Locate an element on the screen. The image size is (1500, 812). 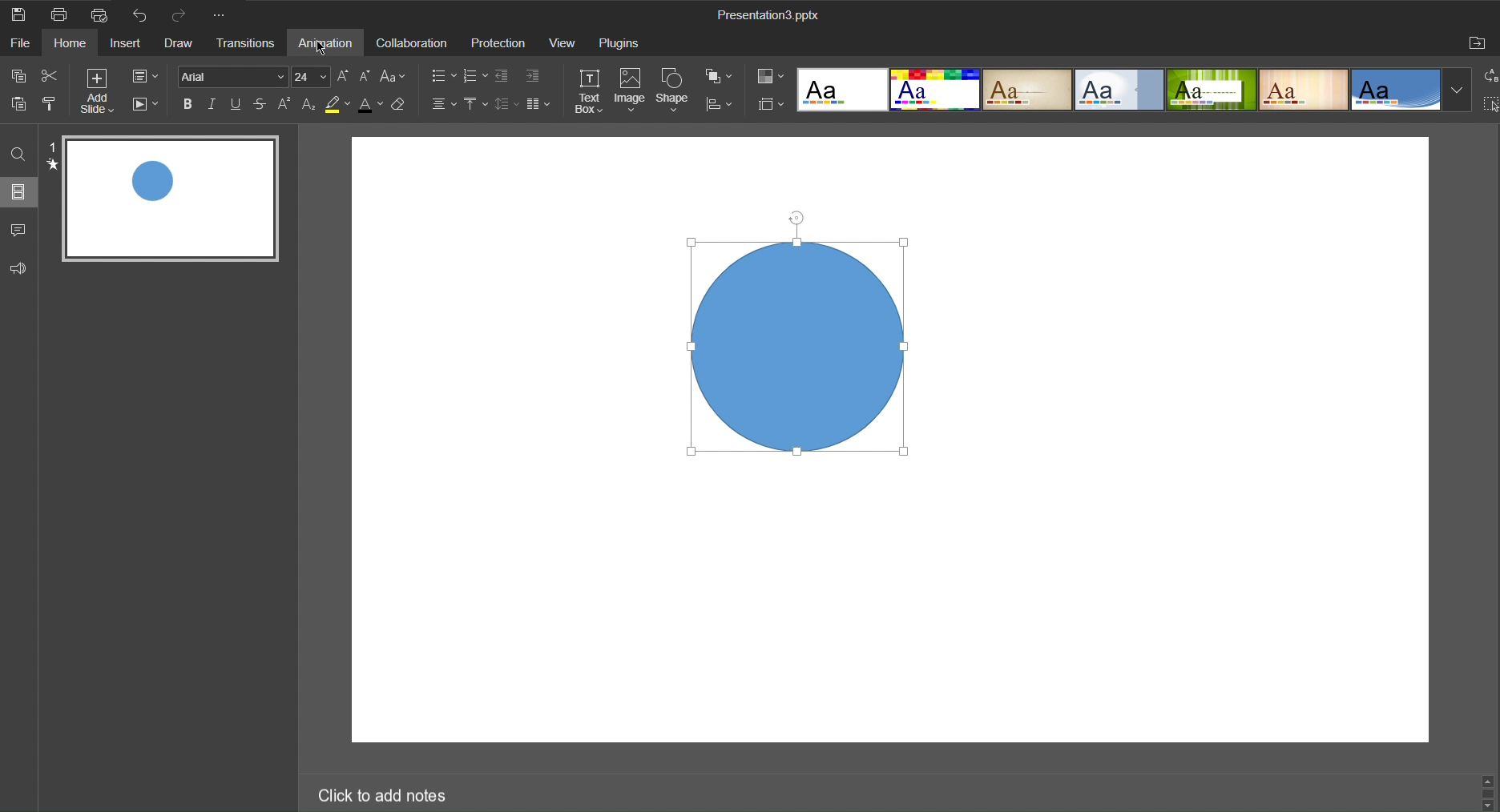
Collaboration is located at coordinates (412, 44).